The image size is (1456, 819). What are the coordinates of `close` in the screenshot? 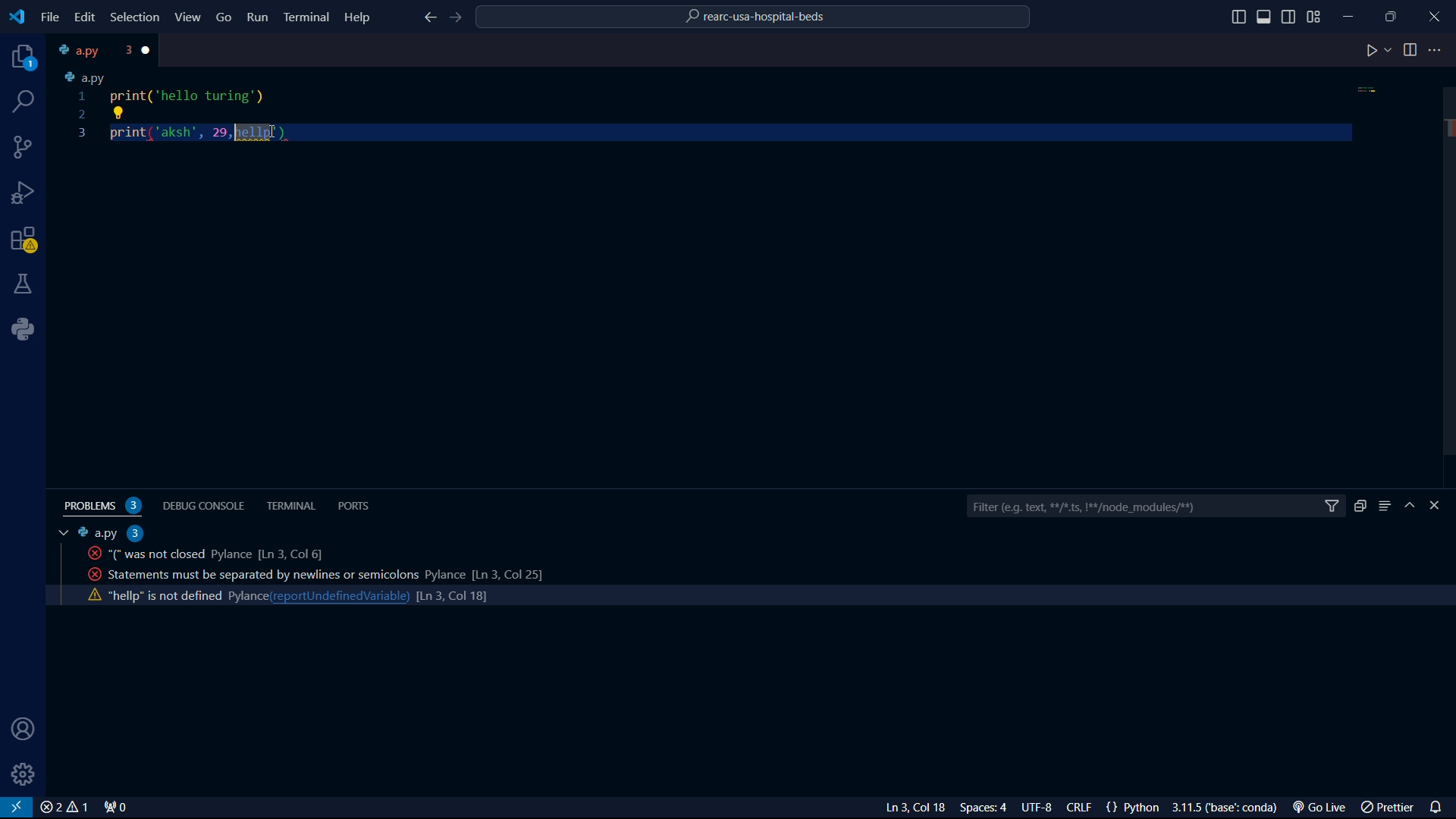 It's located at (64, 808).